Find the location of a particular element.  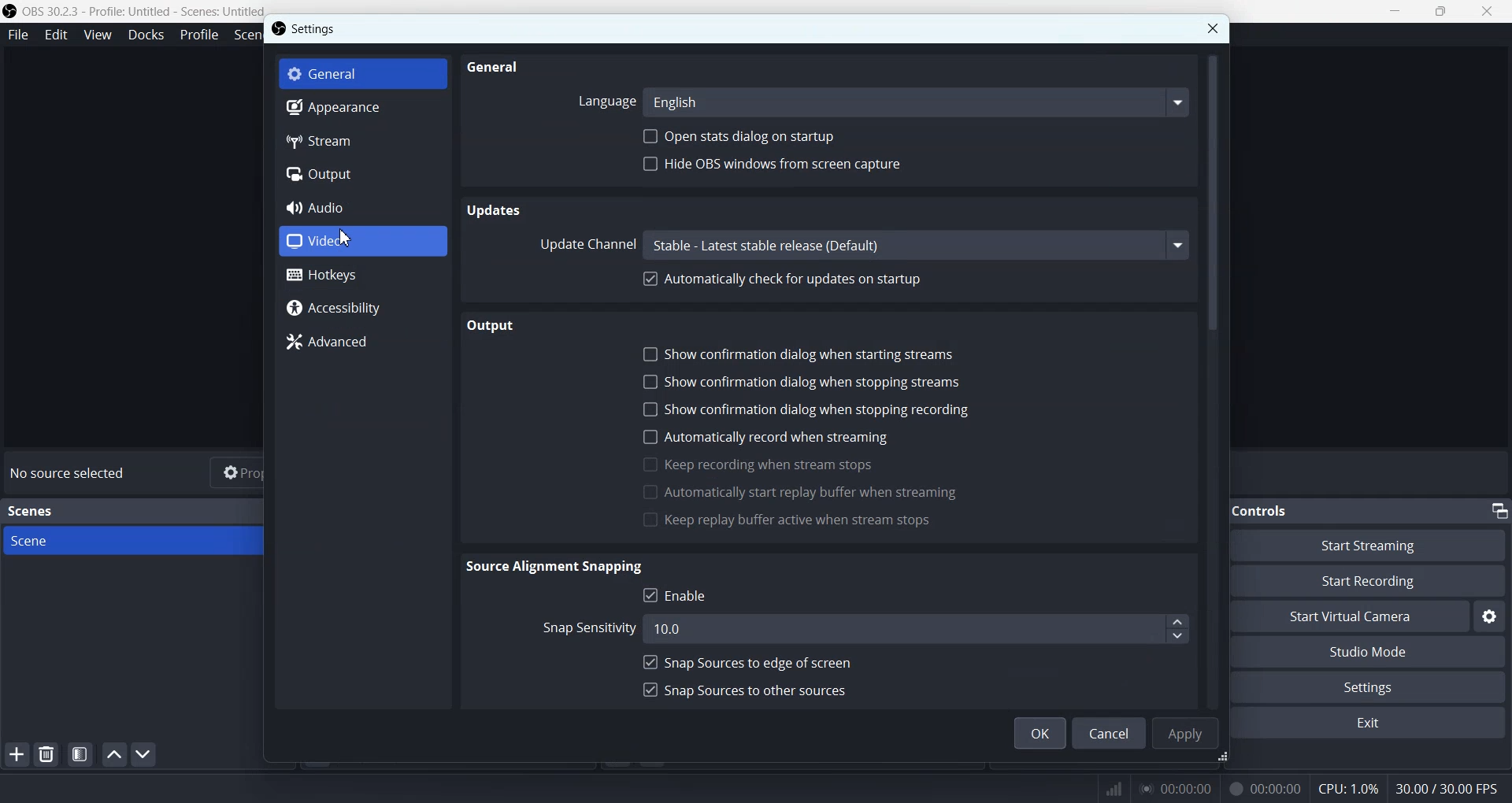

Start Recording is located at coordinates (1383, 581).